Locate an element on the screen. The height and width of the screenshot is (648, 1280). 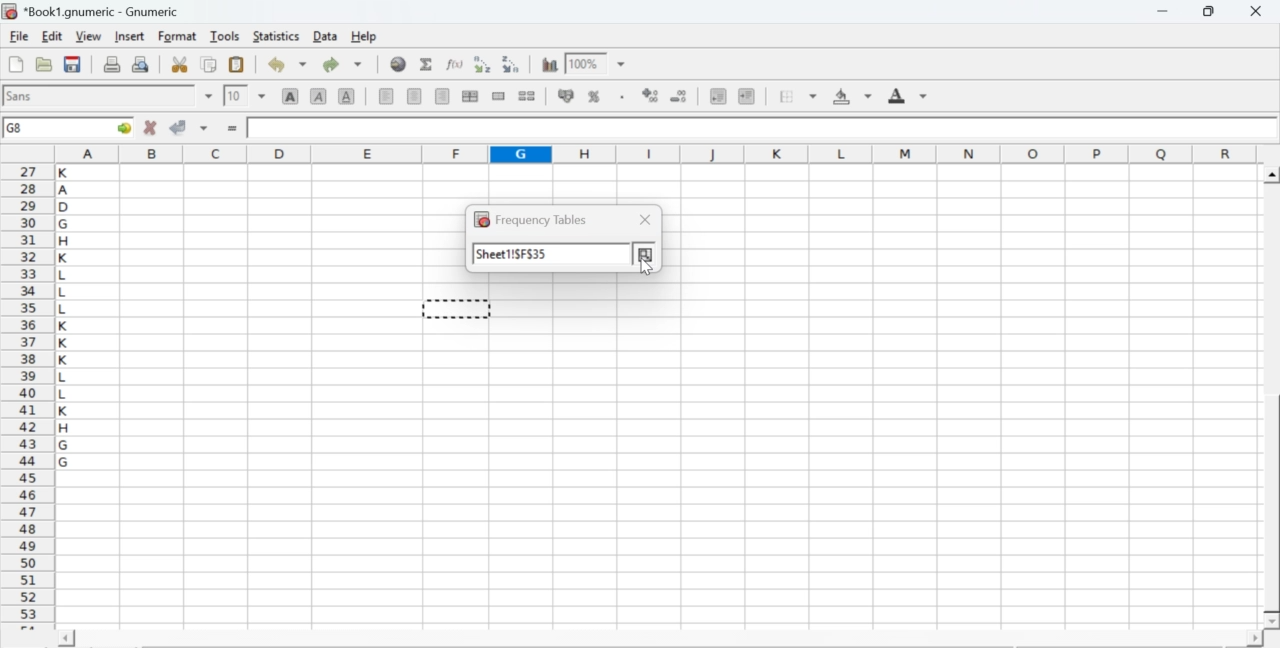
copy is located at coordinates (210, 64).